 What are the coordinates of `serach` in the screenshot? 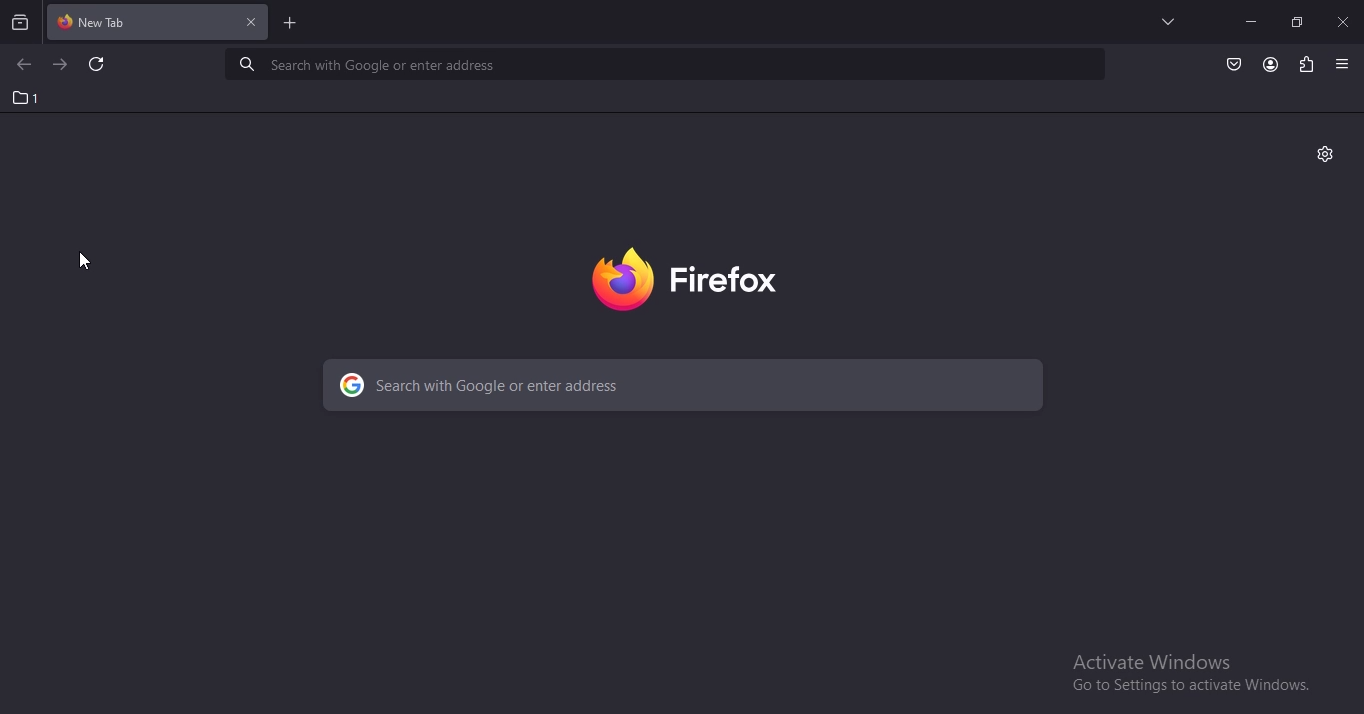 It's located at (657, 64).